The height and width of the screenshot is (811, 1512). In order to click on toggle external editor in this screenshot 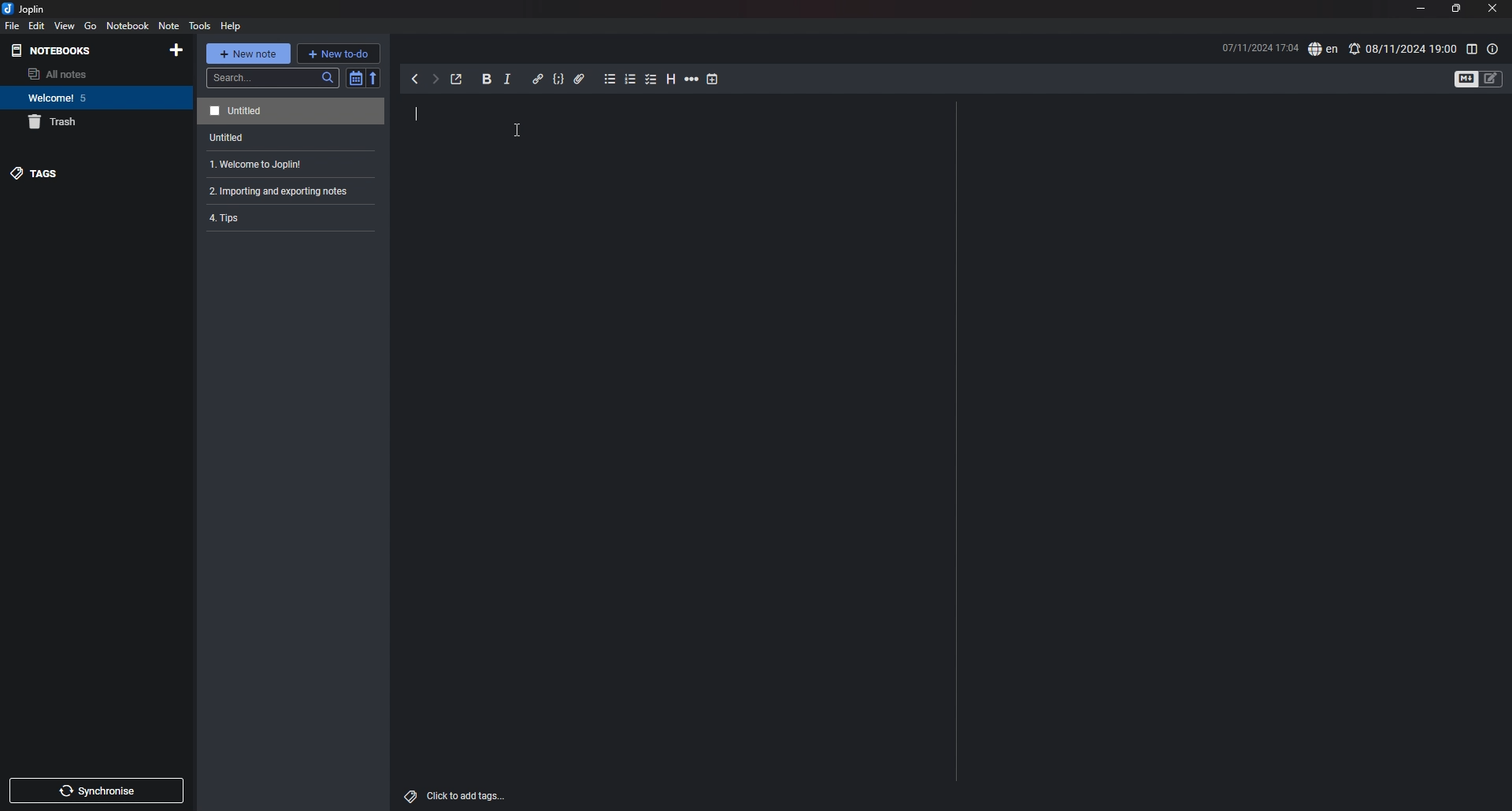, I will do `click(458, 80)`.